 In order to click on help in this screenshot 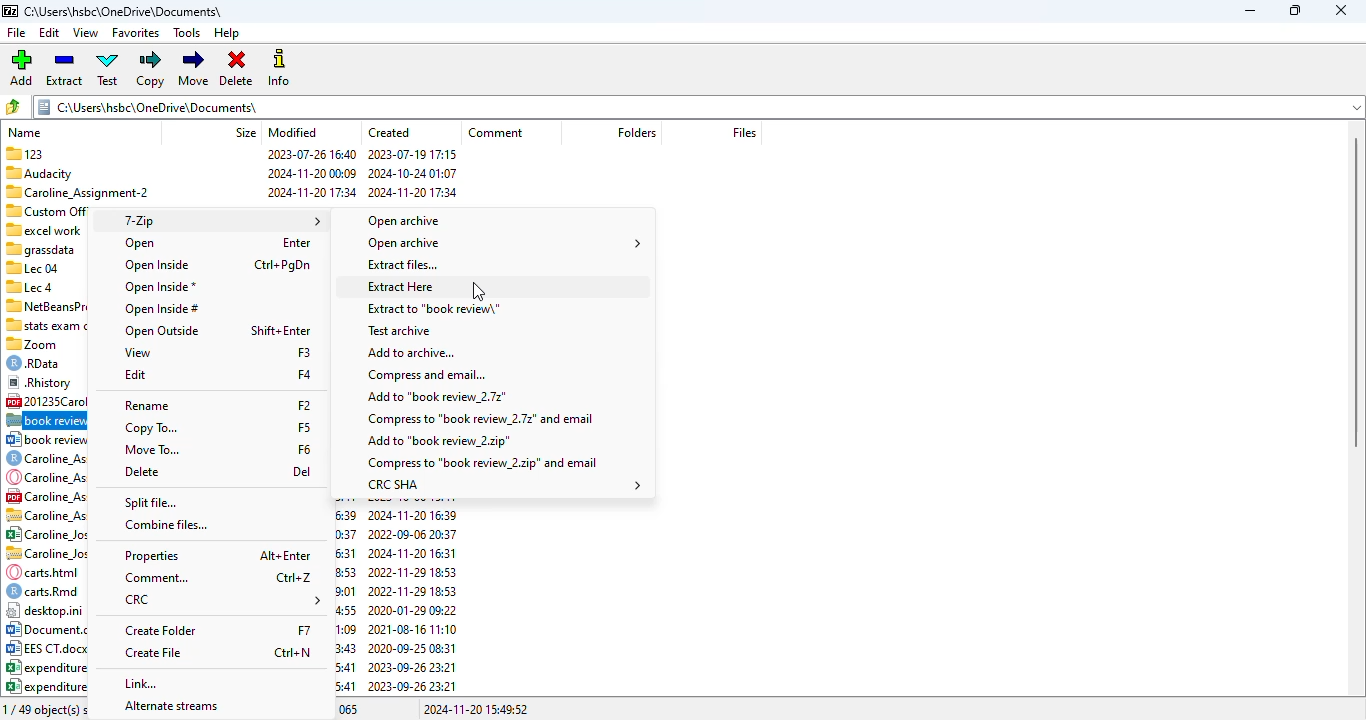, I will do `click(227, 33)`.